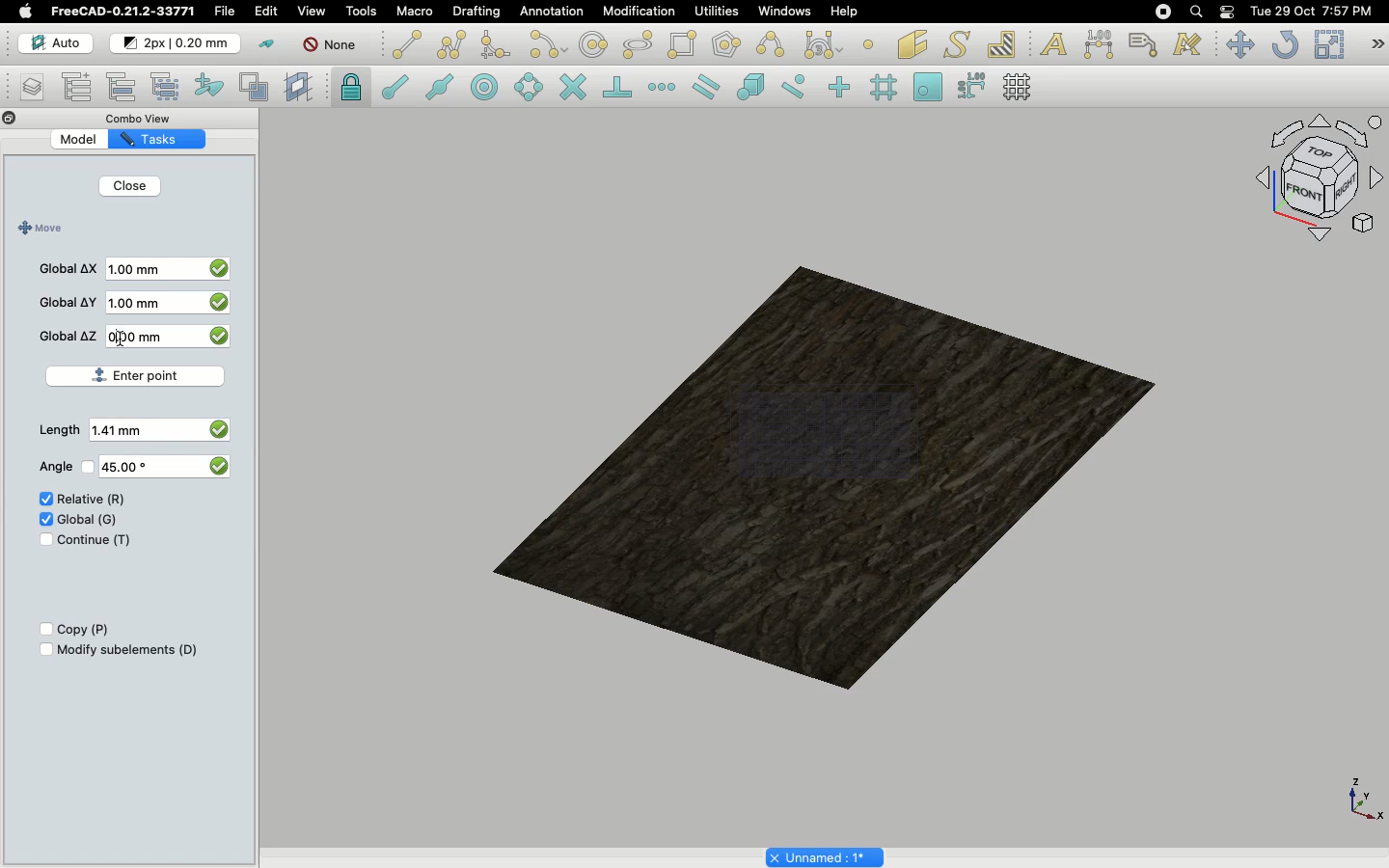 The image size is (1389, 868). What do you see at coordinates (128, 468) in the screenshot?
I see `45` at bounding box center [128, 468].